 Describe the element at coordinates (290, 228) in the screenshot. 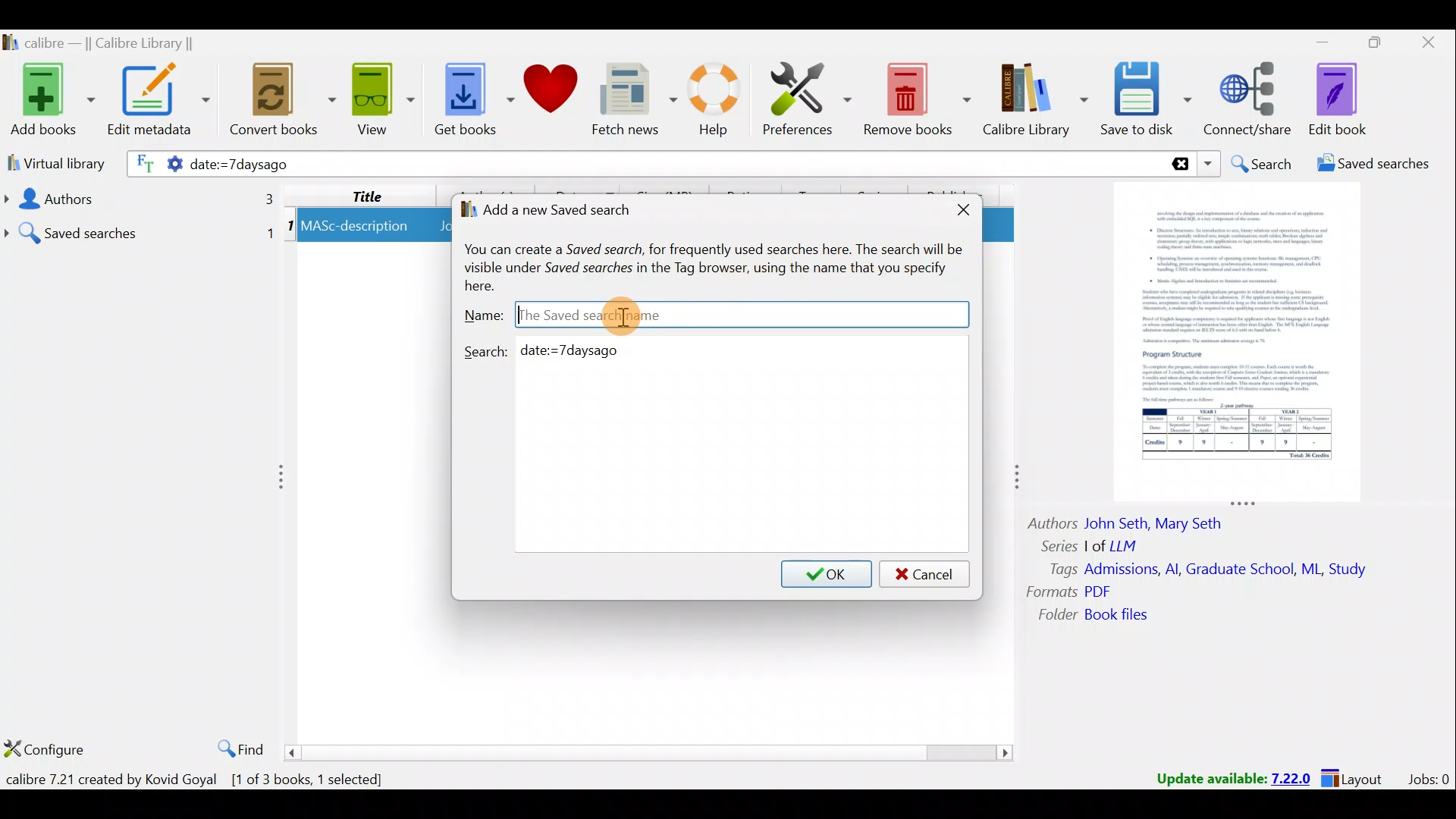

I see `1` at that location.